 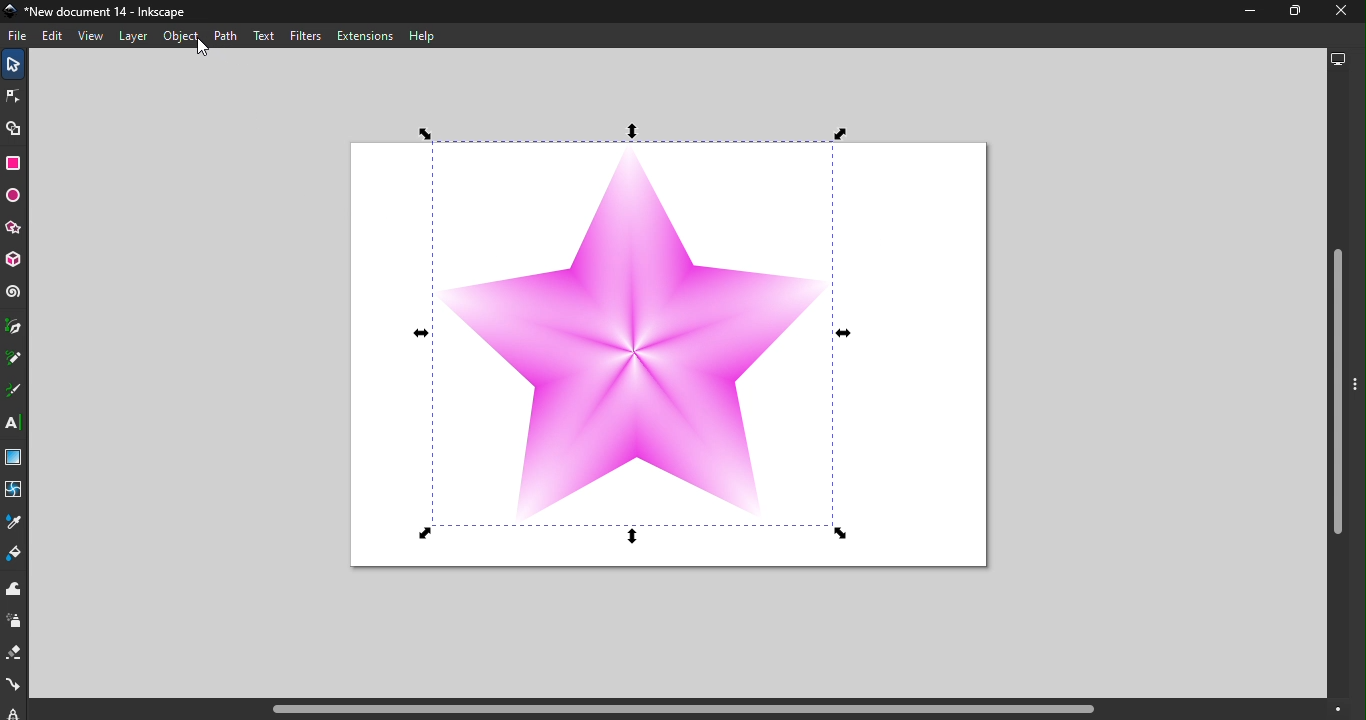 I want to click on Connector tool, so click(x=14, y=687).